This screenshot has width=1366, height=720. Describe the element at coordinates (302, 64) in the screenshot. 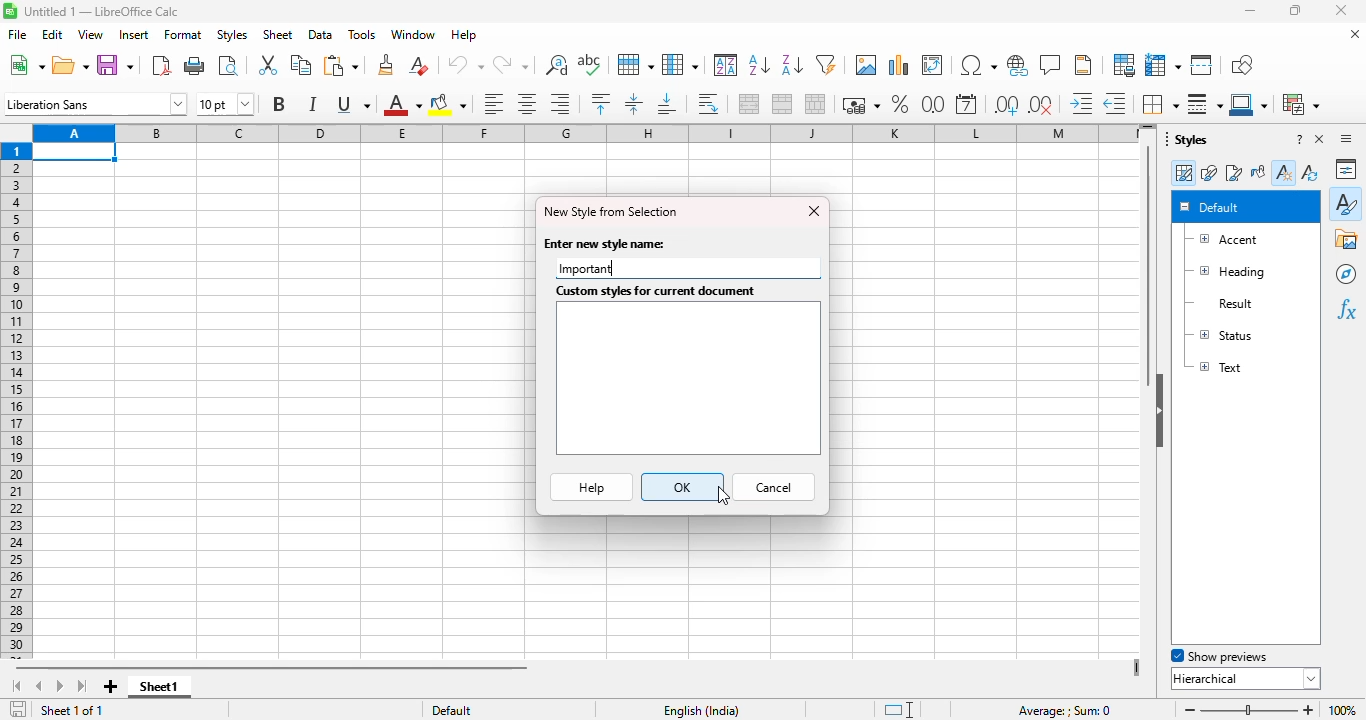

I see `copy` at that location.